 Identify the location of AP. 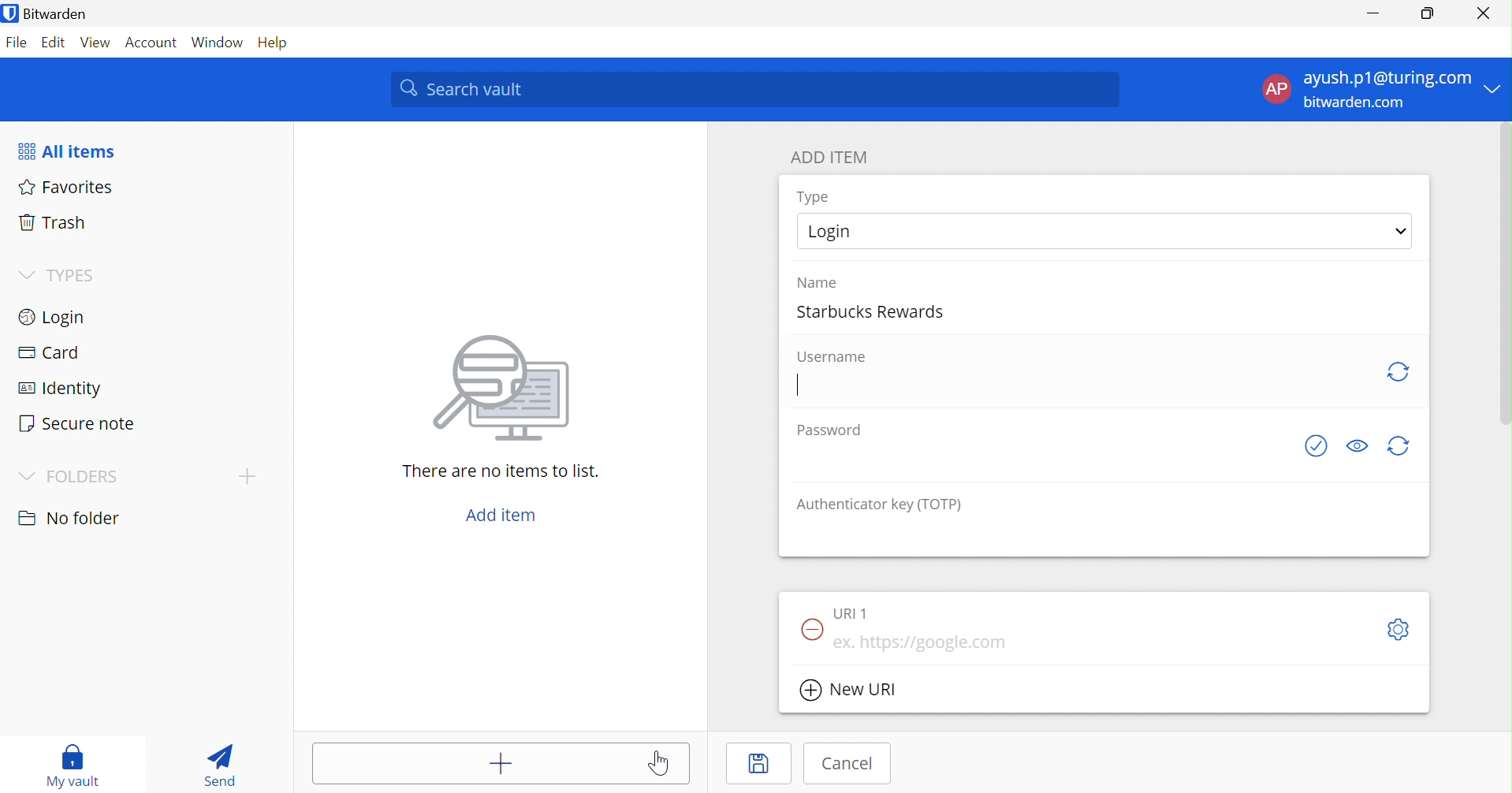
(1276, 91).